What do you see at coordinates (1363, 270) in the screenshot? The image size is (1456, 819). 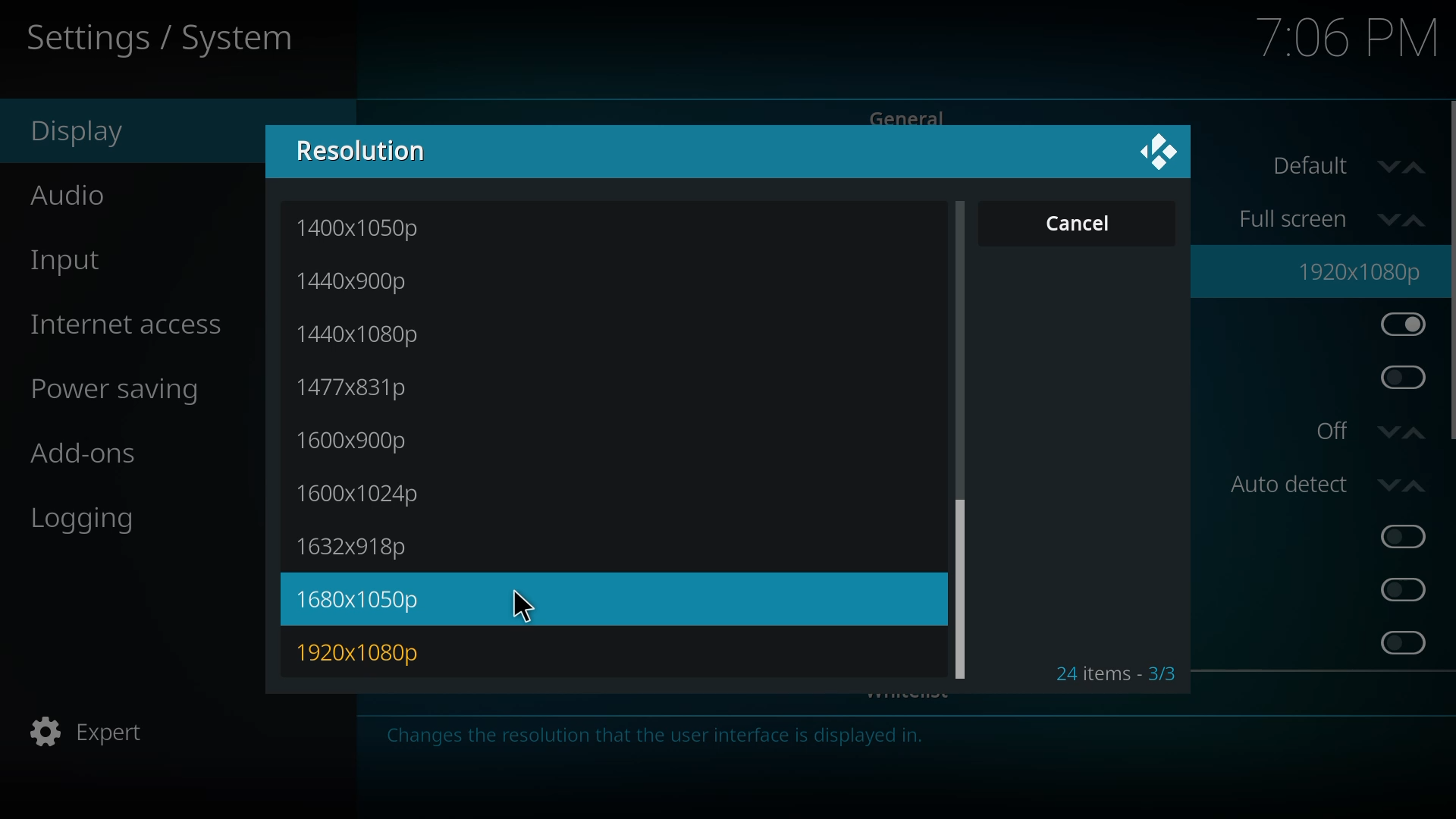 I see `1920*1080p` at bounding box center [1363, 270].